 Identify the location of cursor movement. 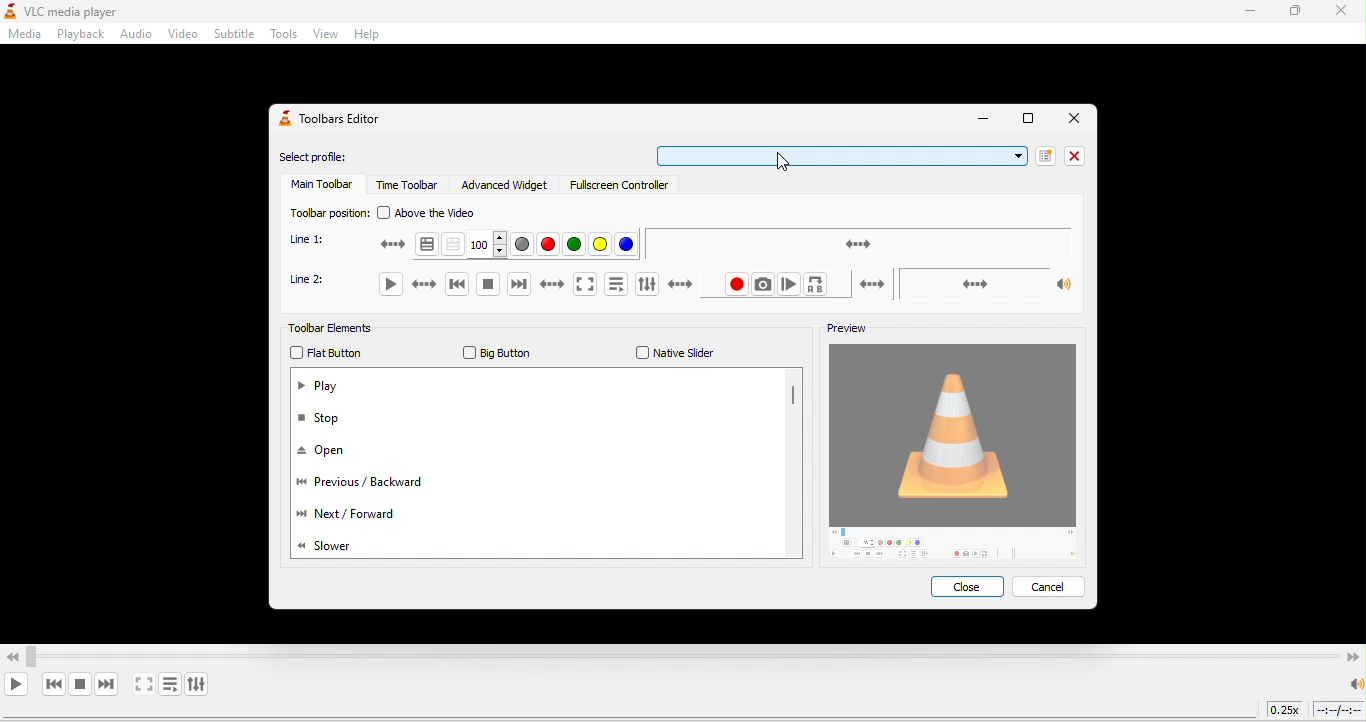
(782, 163).